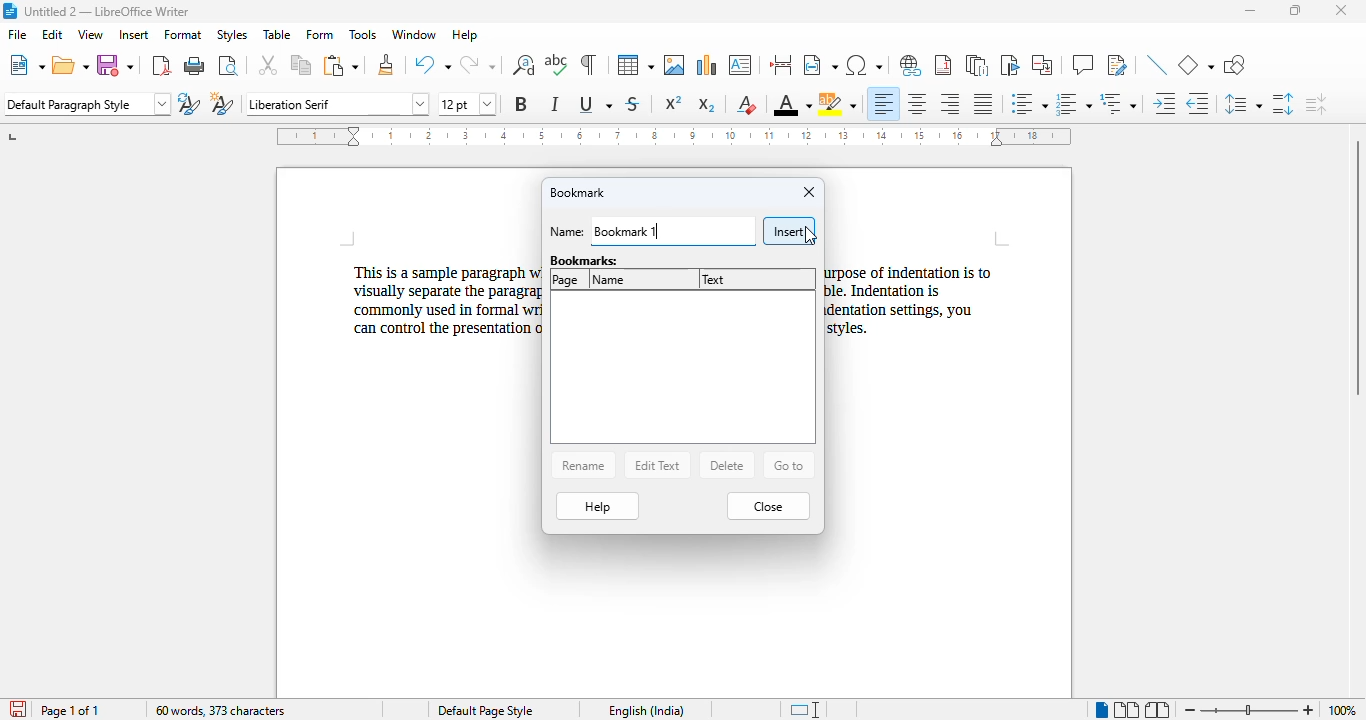 The image size is (1366, 720). Describe the element at coordinates (810, 235) in the screenshot. I see `cursor` at that location.